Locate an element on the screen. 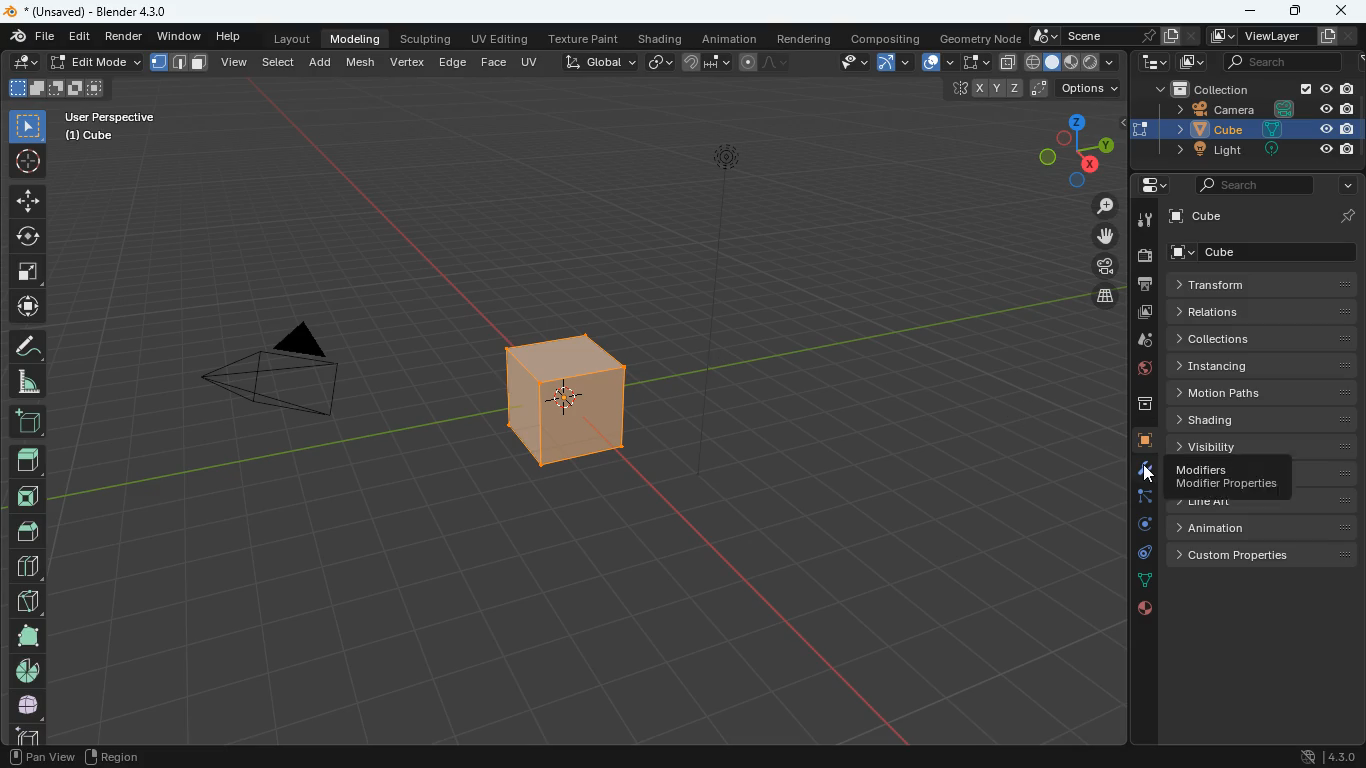 The width and height of the screenshot is (1366, 768). arc is located at coordinates (892, 62).